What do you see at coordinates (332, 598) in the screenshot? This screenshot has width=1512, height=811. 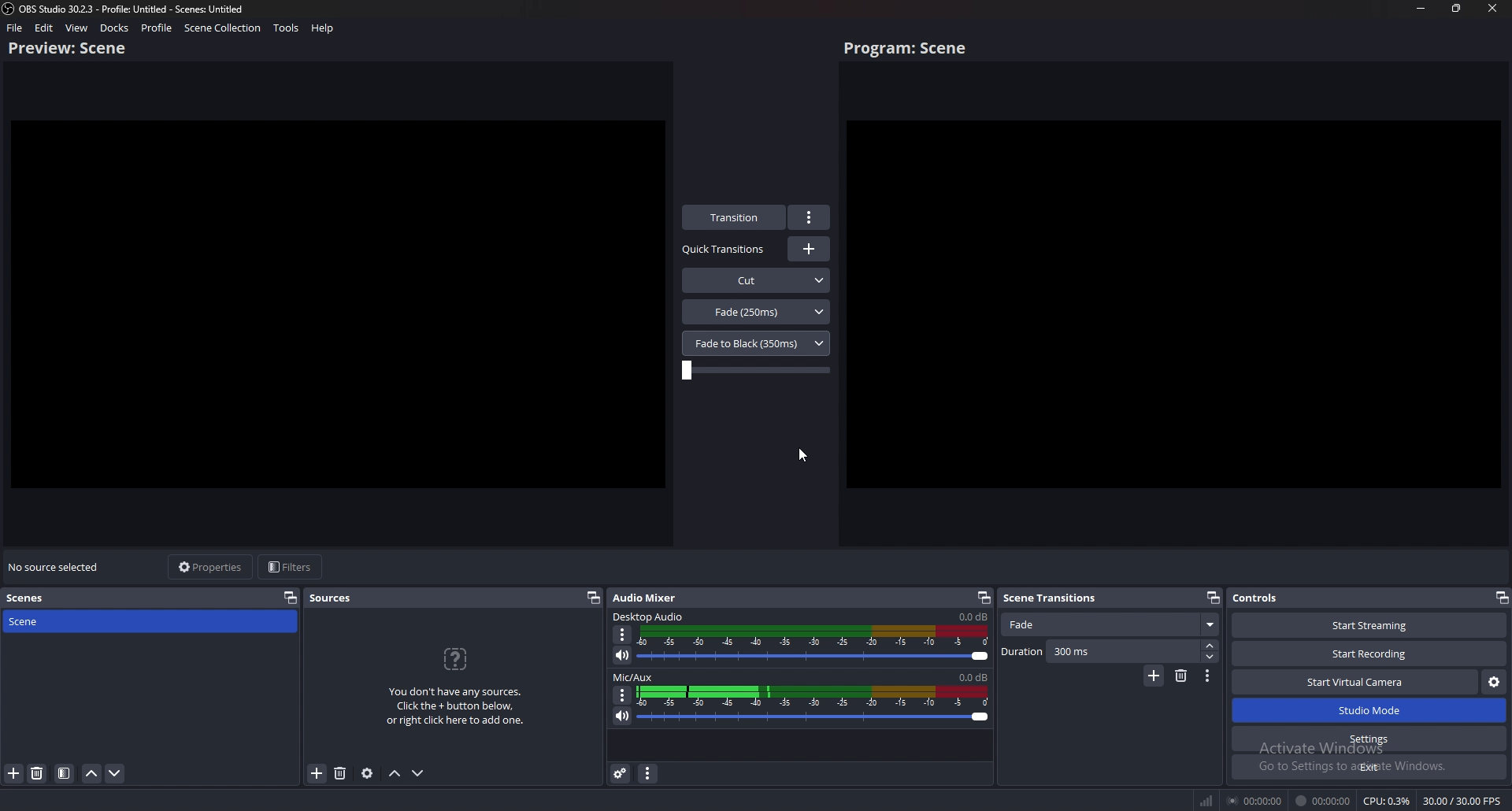 I see `sources` at bounding box center [332, 598].